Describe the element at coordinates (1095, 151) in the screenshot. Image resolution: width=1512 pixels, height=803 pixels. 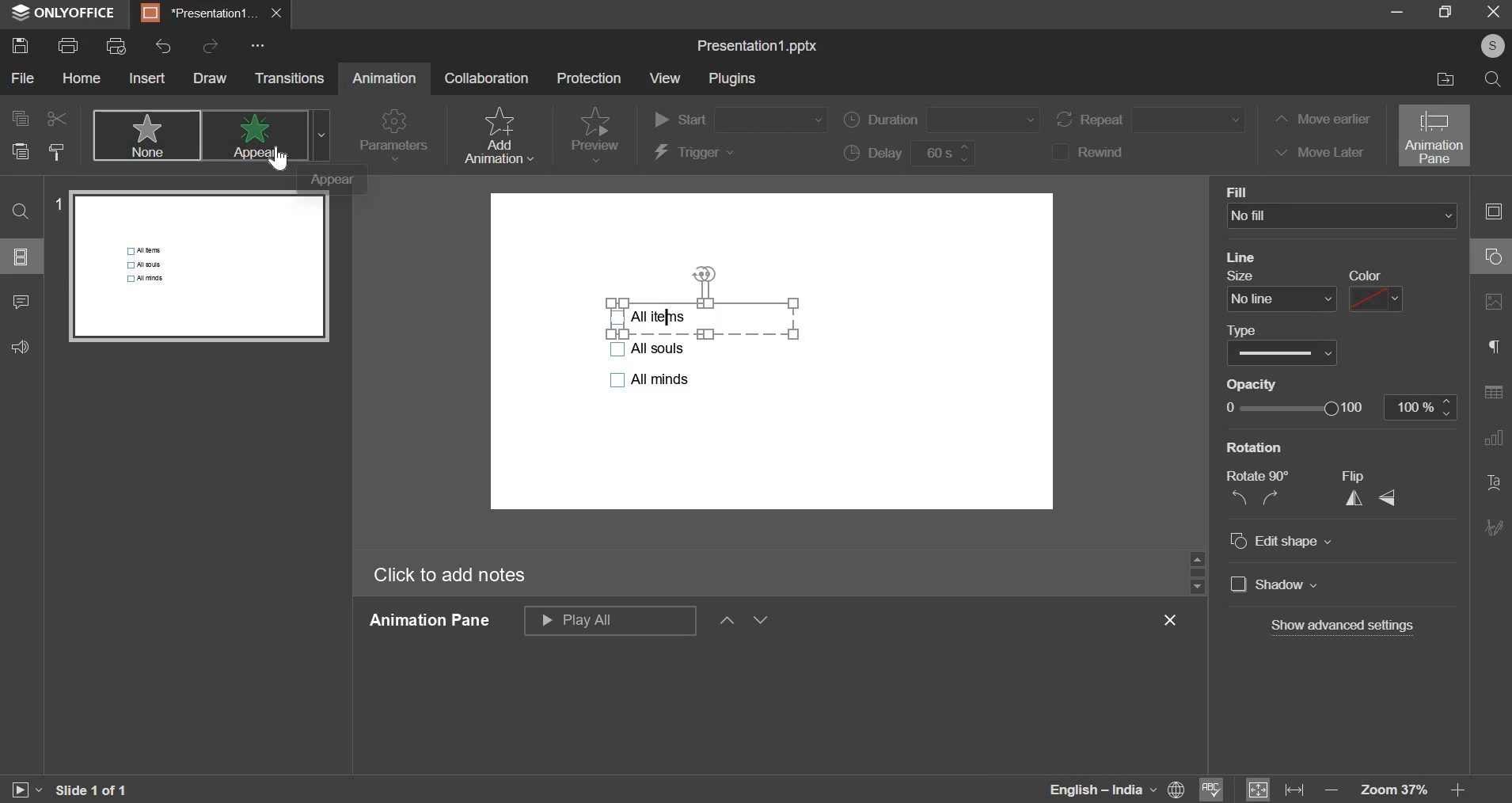
I see `rewind` at that location.